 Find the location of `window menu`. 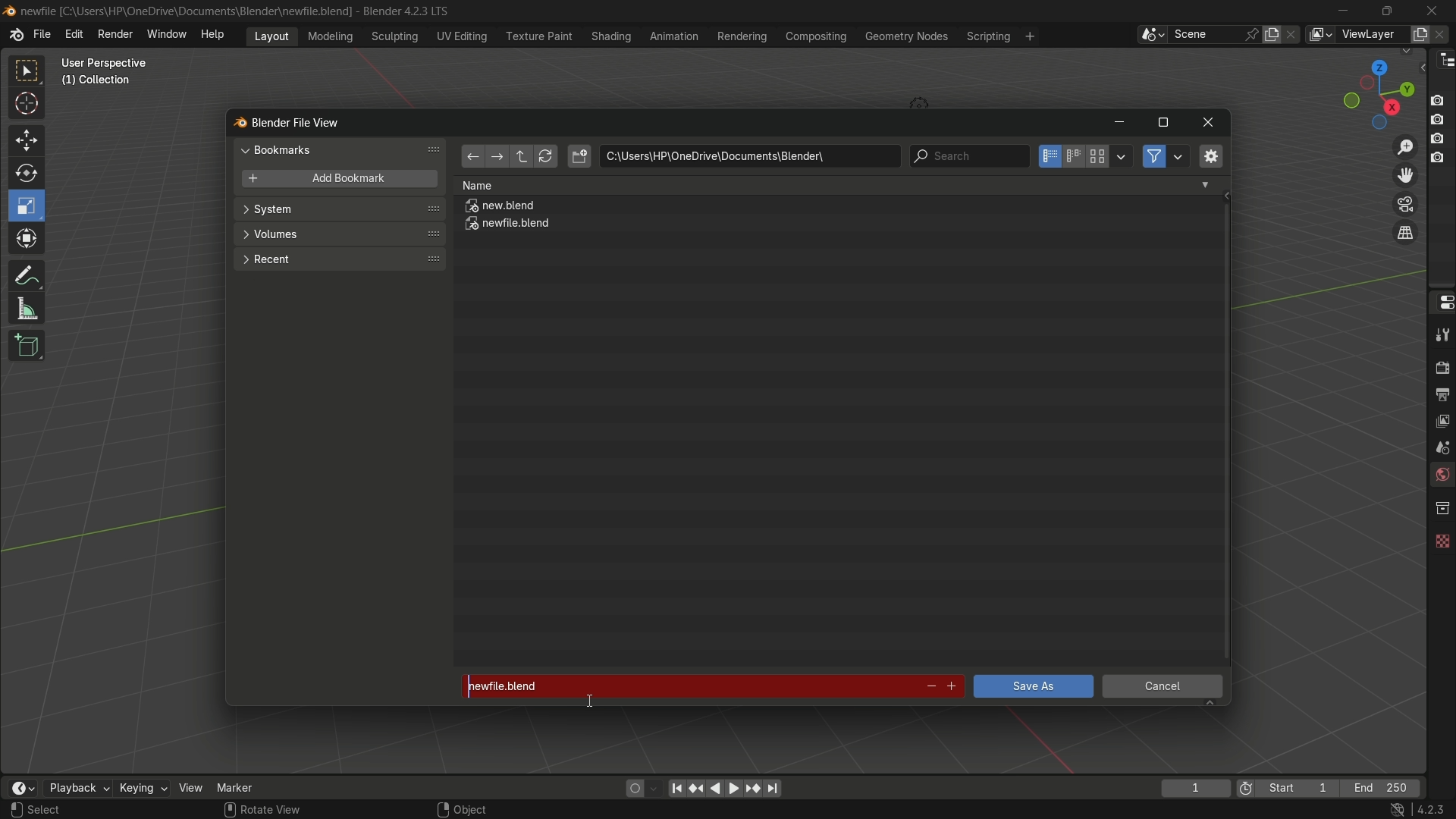

window menu is located at coordinates (168, 36).